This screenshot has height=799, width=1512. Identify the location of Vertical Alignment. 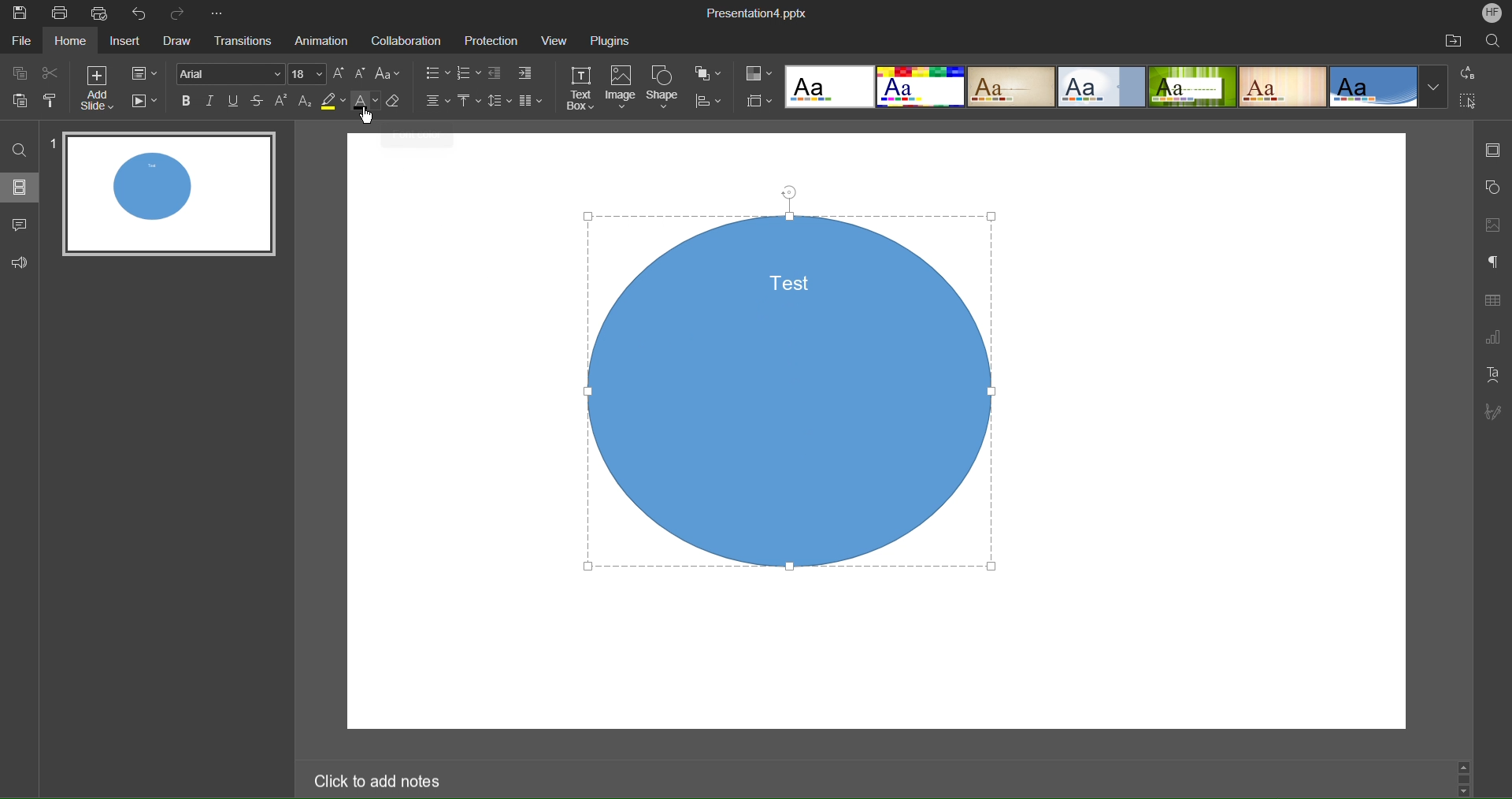
(472, 102).